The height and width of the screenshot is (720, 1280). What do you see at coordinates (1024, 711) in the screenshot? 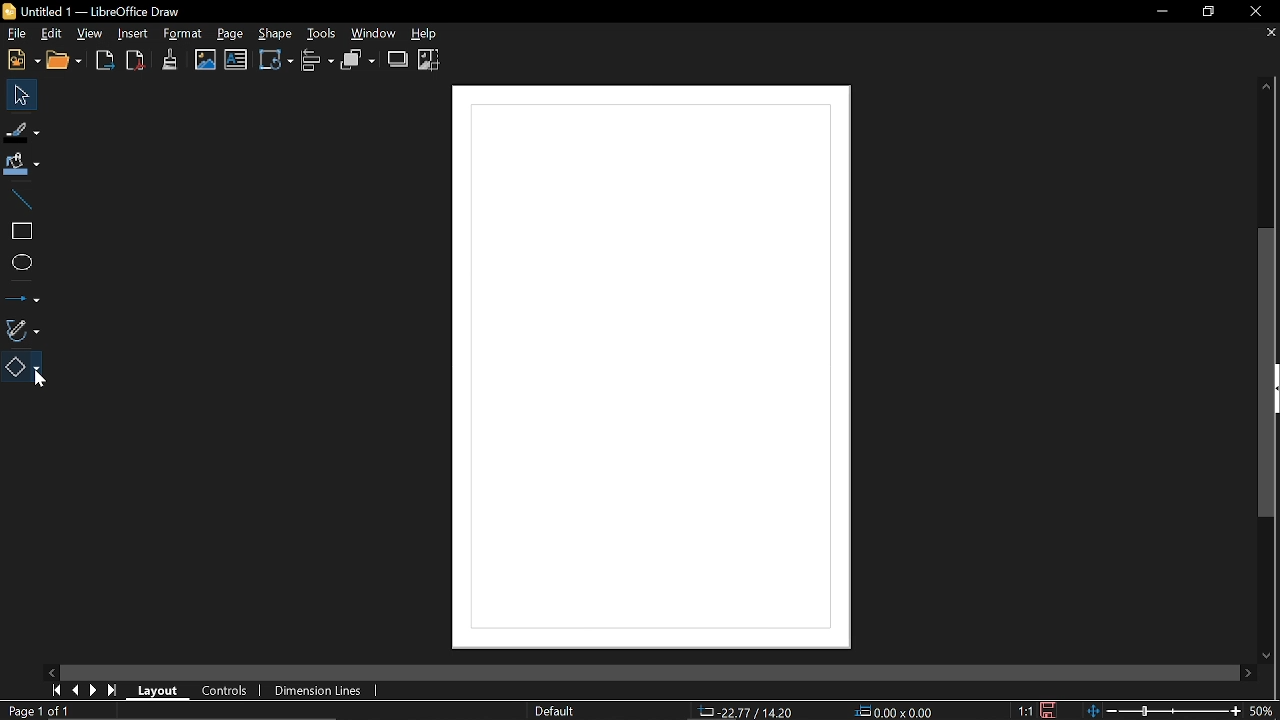
I see `Scaling factor` at bounding box center [1024, 711].